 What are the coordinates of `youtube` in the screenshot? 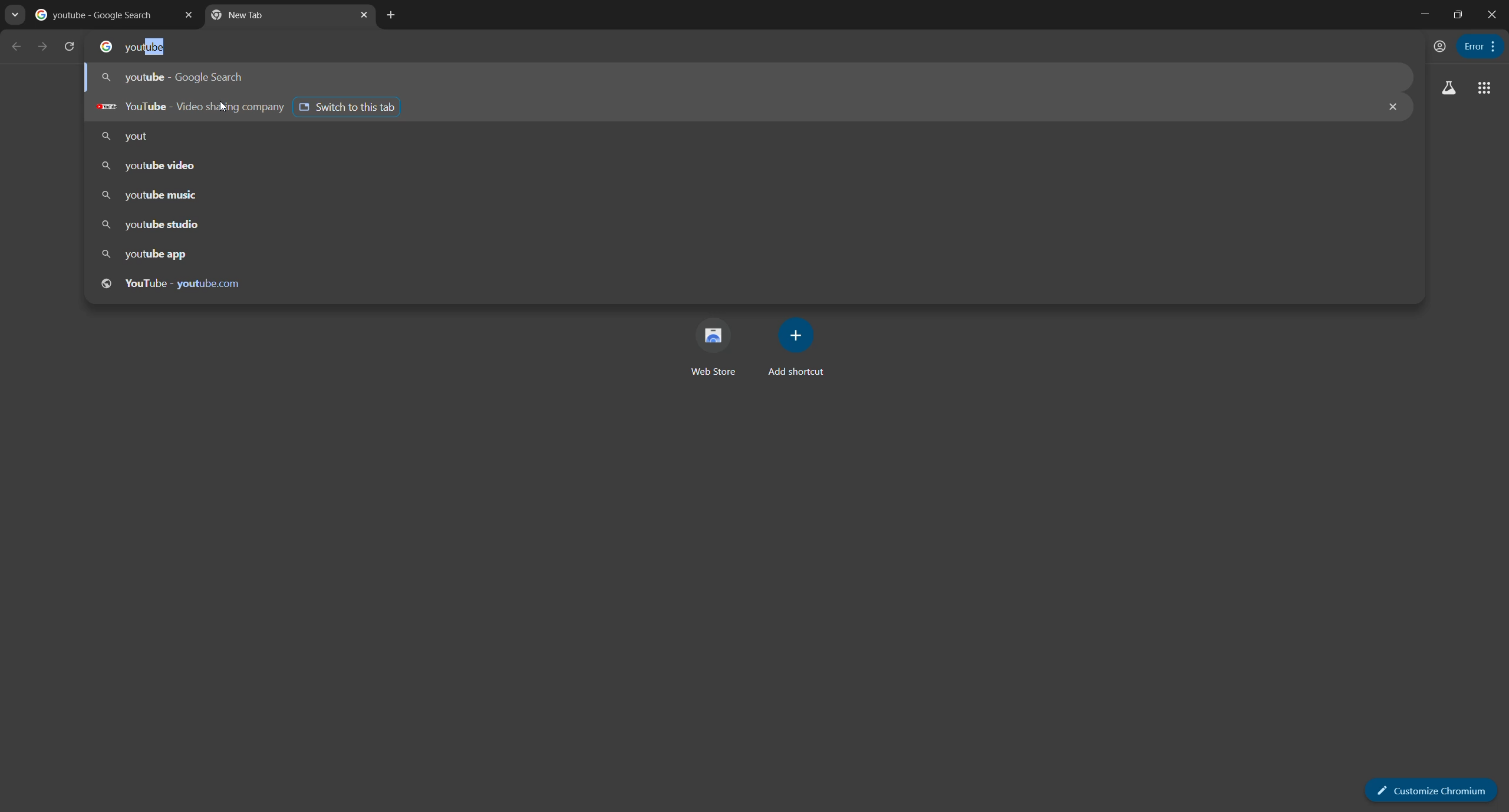 It's located at (186, 107).